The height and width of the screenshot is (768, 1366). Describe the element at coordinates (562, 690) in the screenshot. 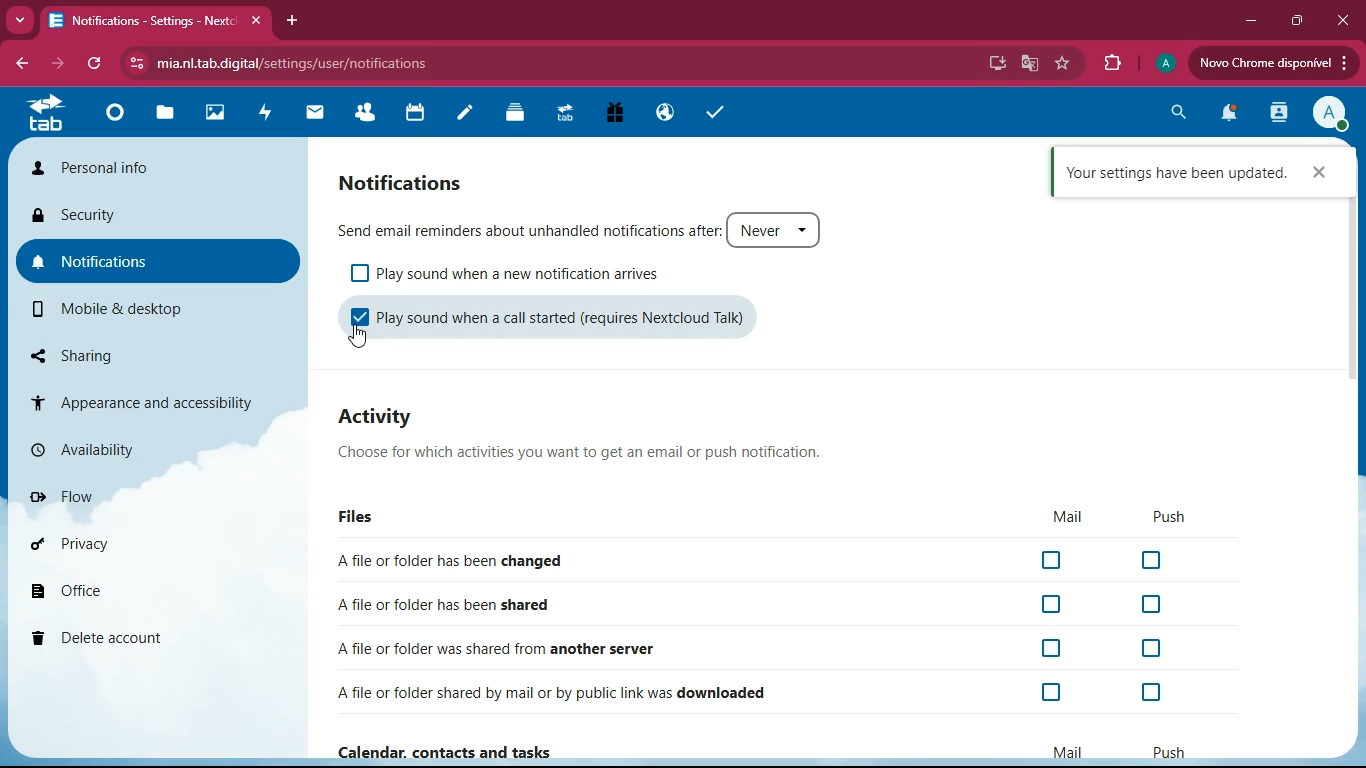

I see `downloaded` at that location.